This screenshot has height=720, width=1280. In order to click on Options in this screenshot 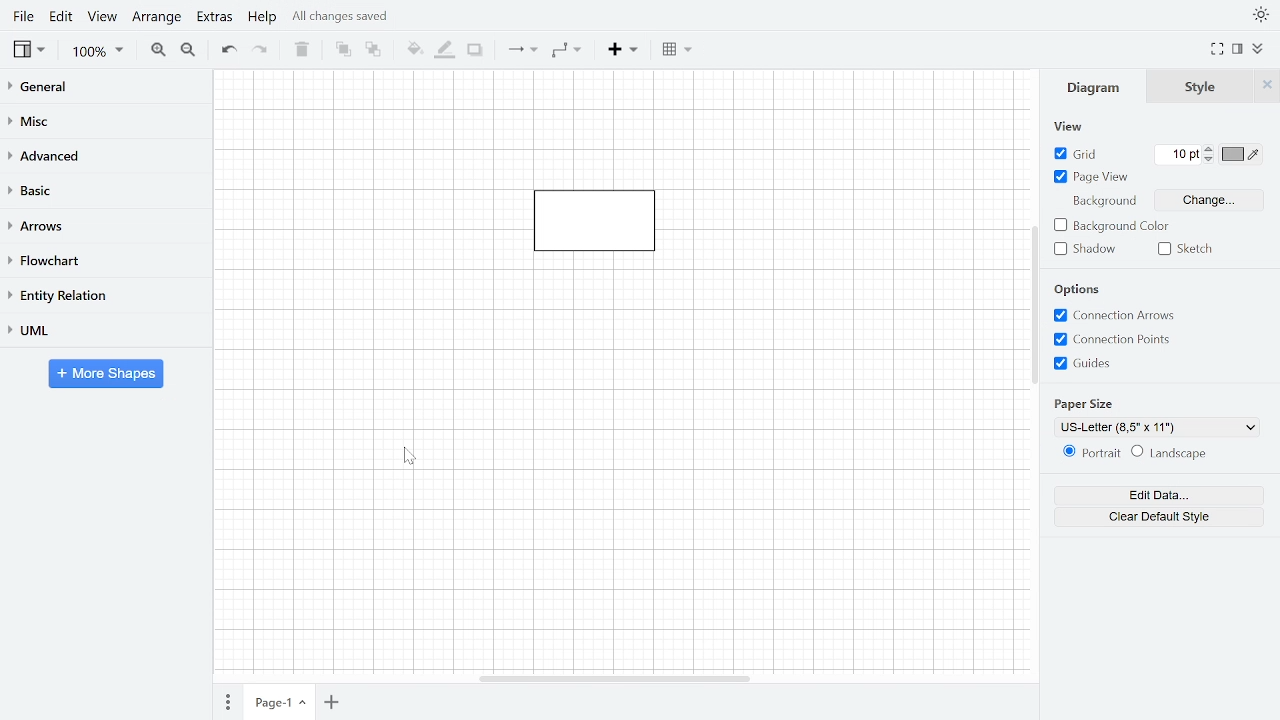, I will do `click(1079, 290)`.